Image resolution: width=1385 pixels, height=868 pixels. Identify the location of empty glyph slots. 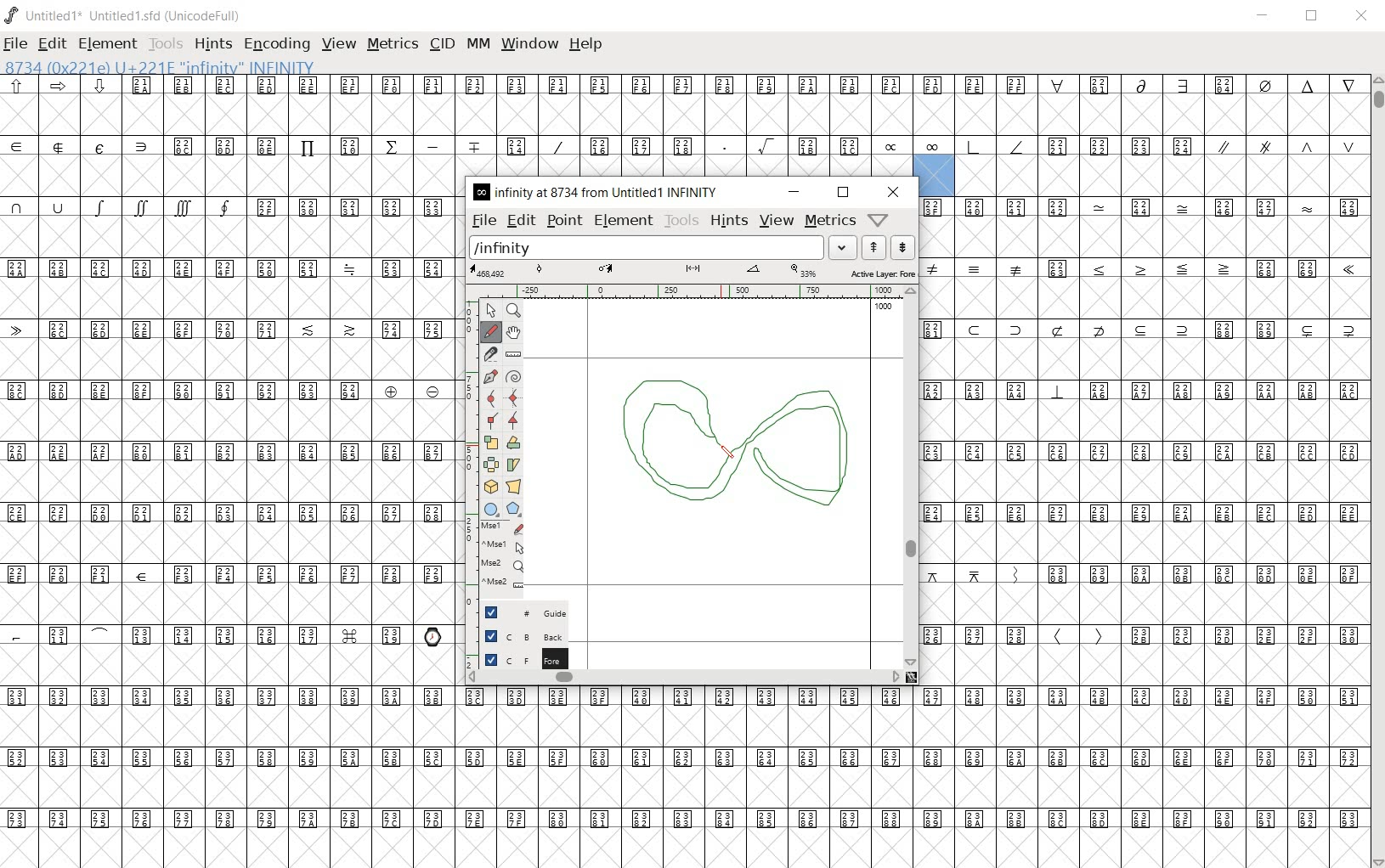
(1149, 483).